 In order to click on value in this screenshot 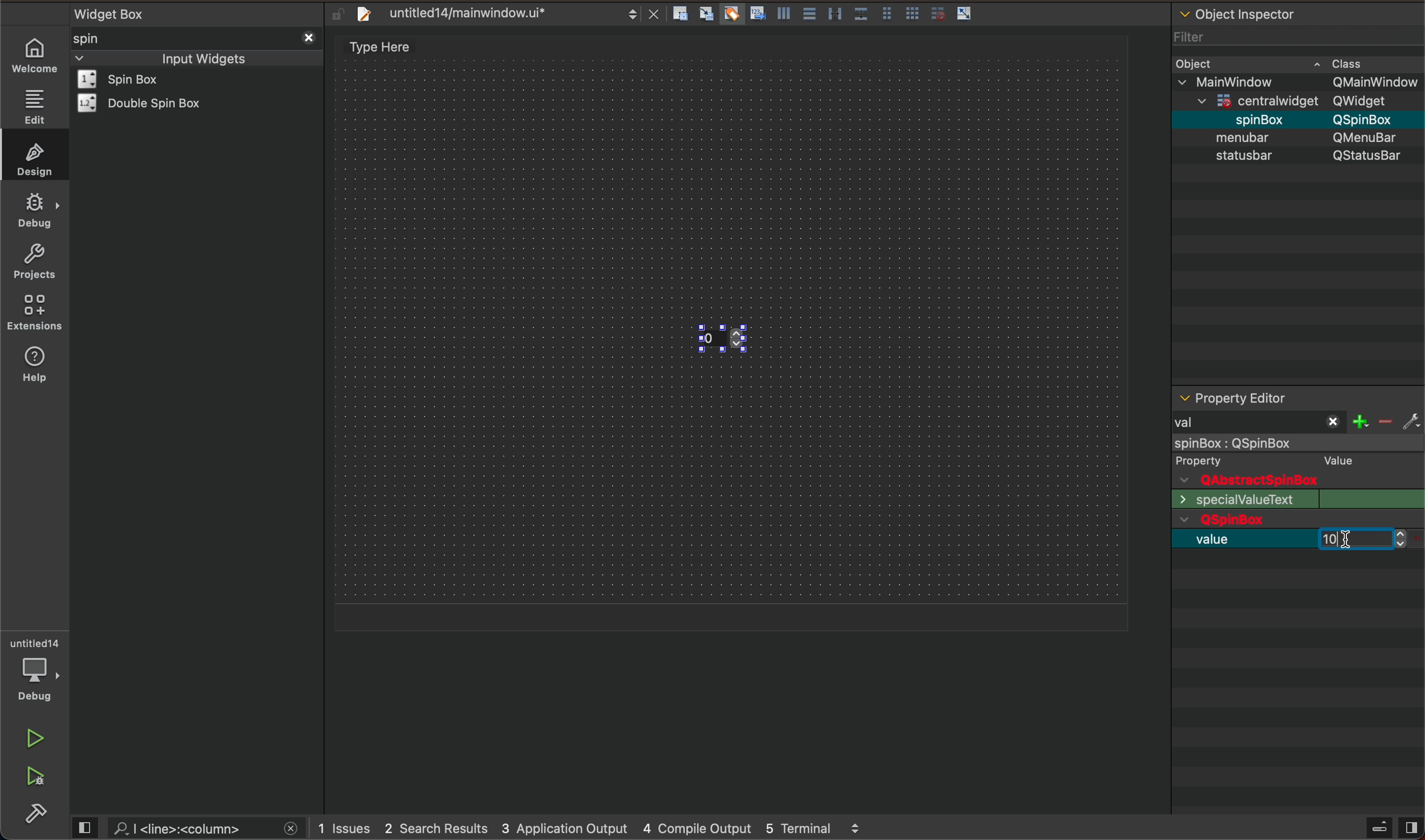, I will do `click(1219, 539)`.